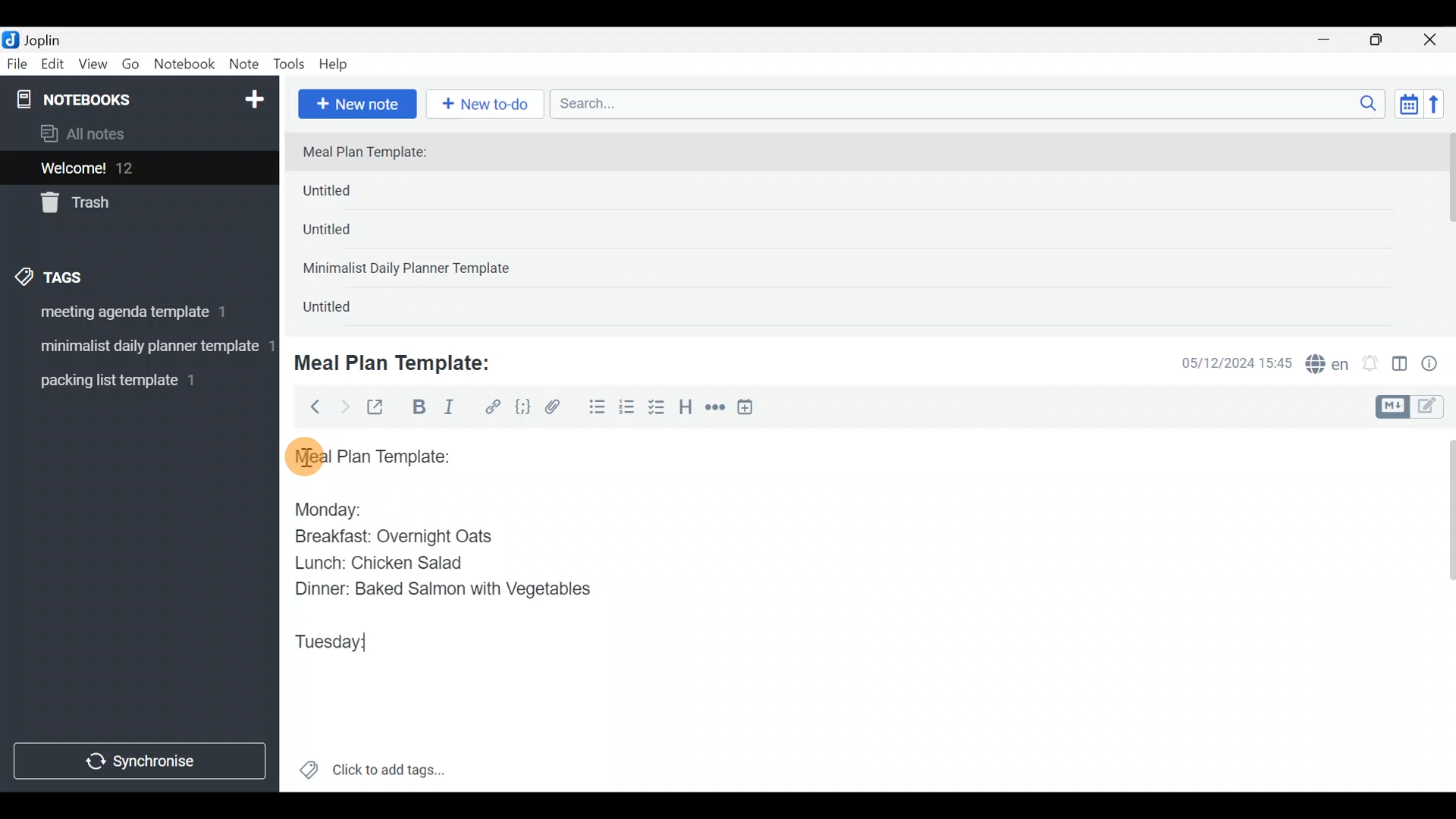 The height and width of the screenshot is (819, 1456). Describe the element at coordinates (347, 234) in the screenshot. I see `Untitled` at that location.